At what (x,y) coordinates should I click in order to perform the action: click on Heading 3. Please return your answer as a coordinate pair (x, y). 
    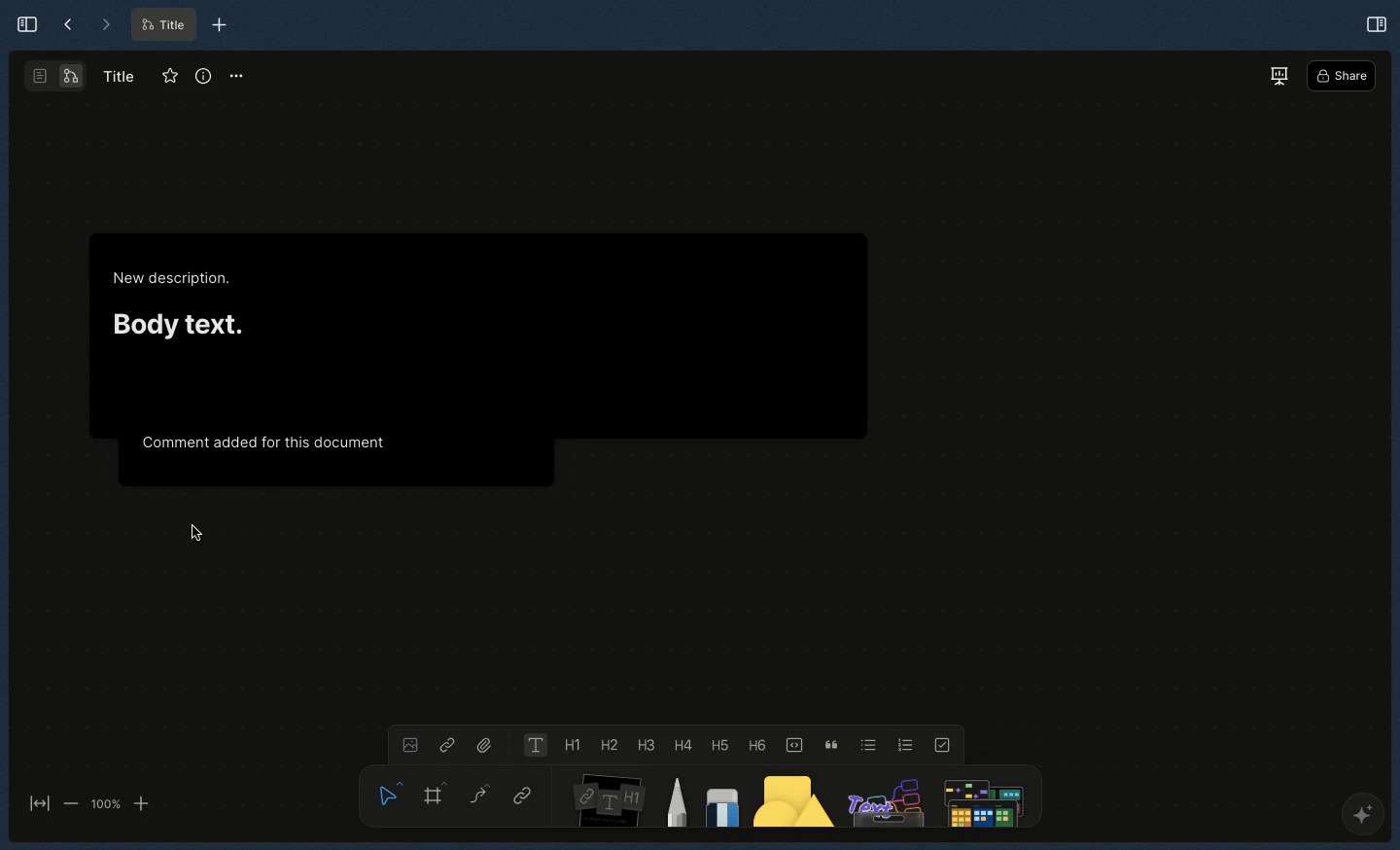
    Looking at the image, I should click on (647, 744).